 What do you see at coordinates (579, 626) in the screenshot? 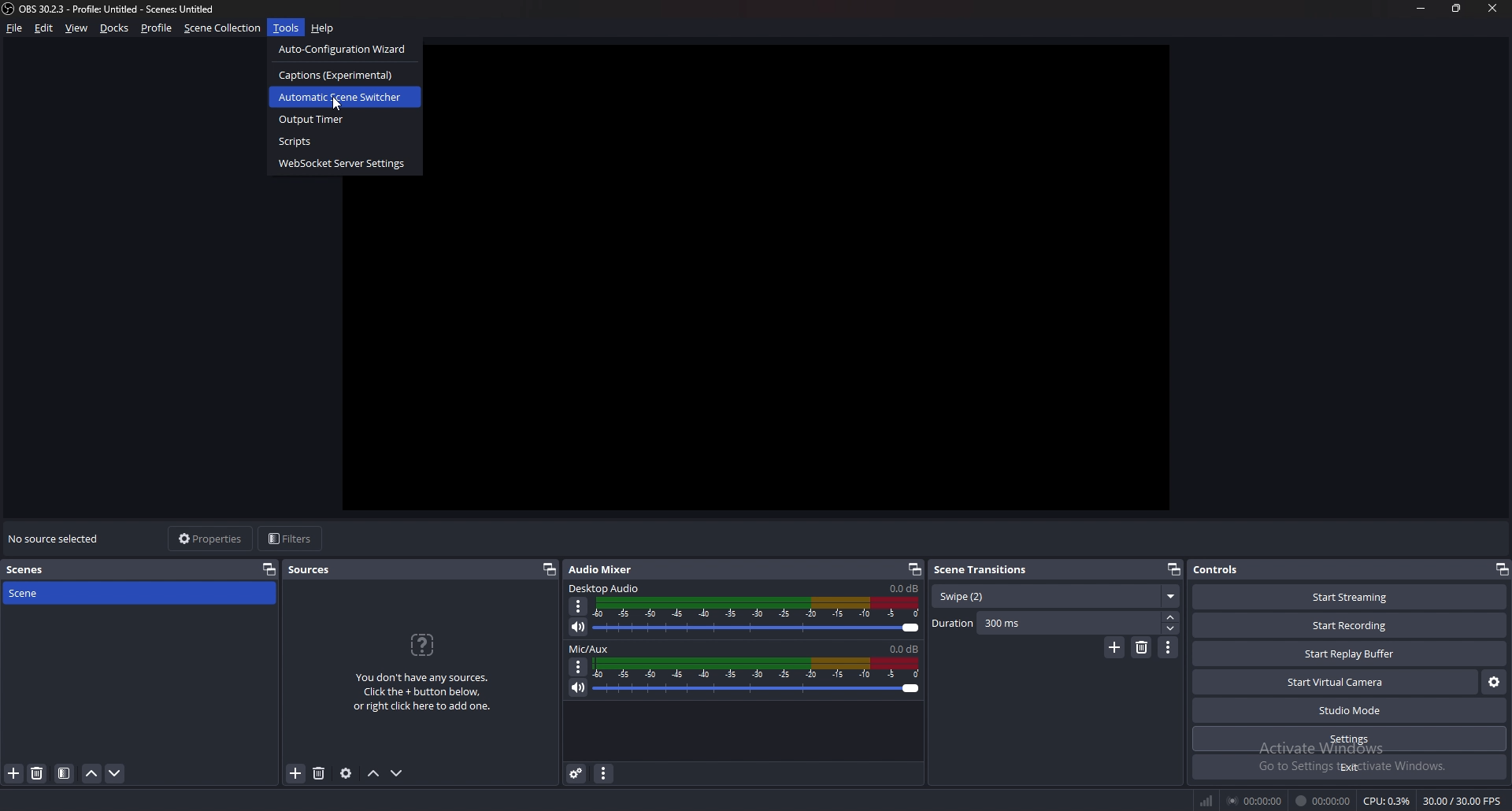
I see `mute` at bounding box center [579, 626].